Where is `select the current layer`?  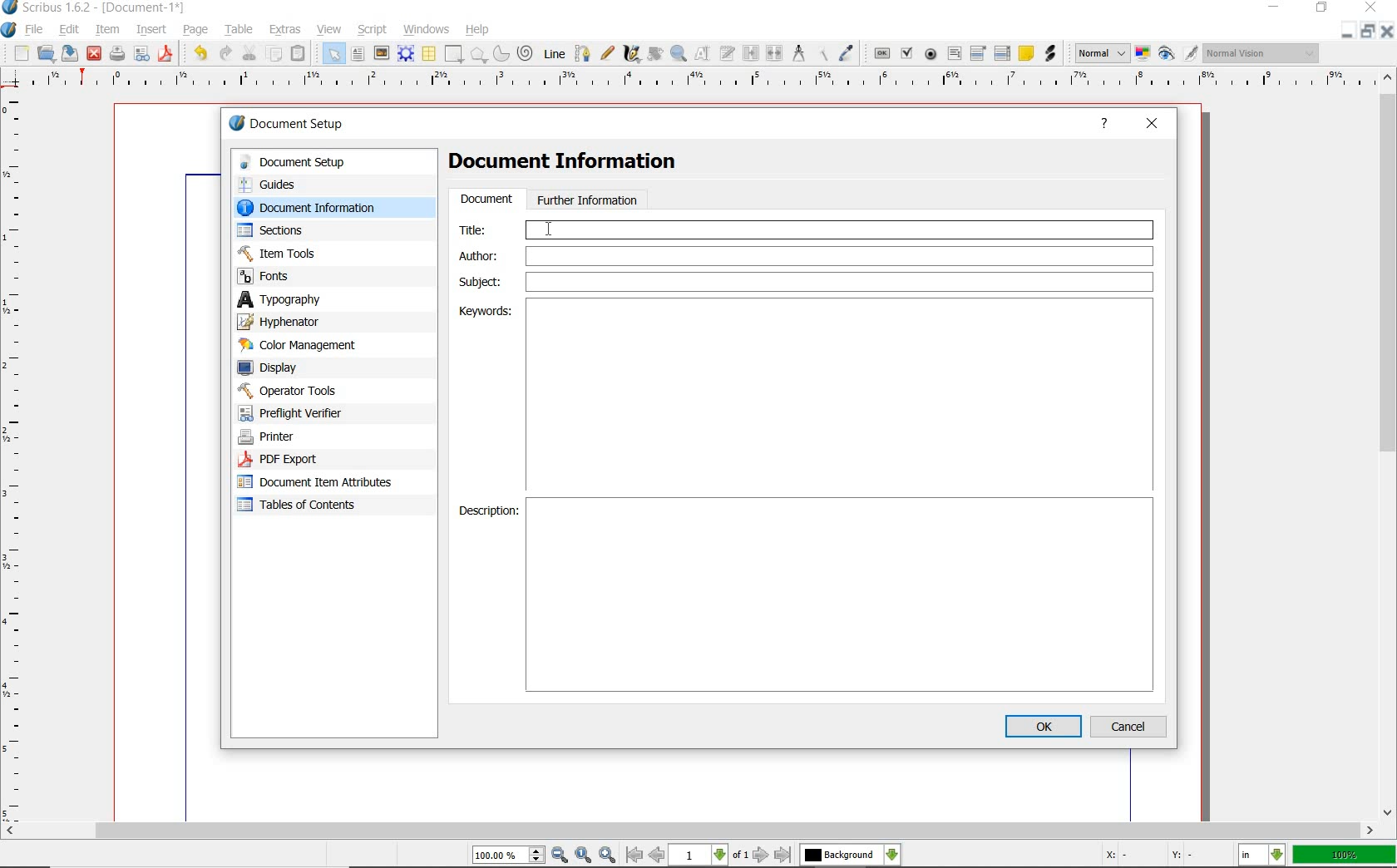 select the current layer is located at coordinates (851, 855).